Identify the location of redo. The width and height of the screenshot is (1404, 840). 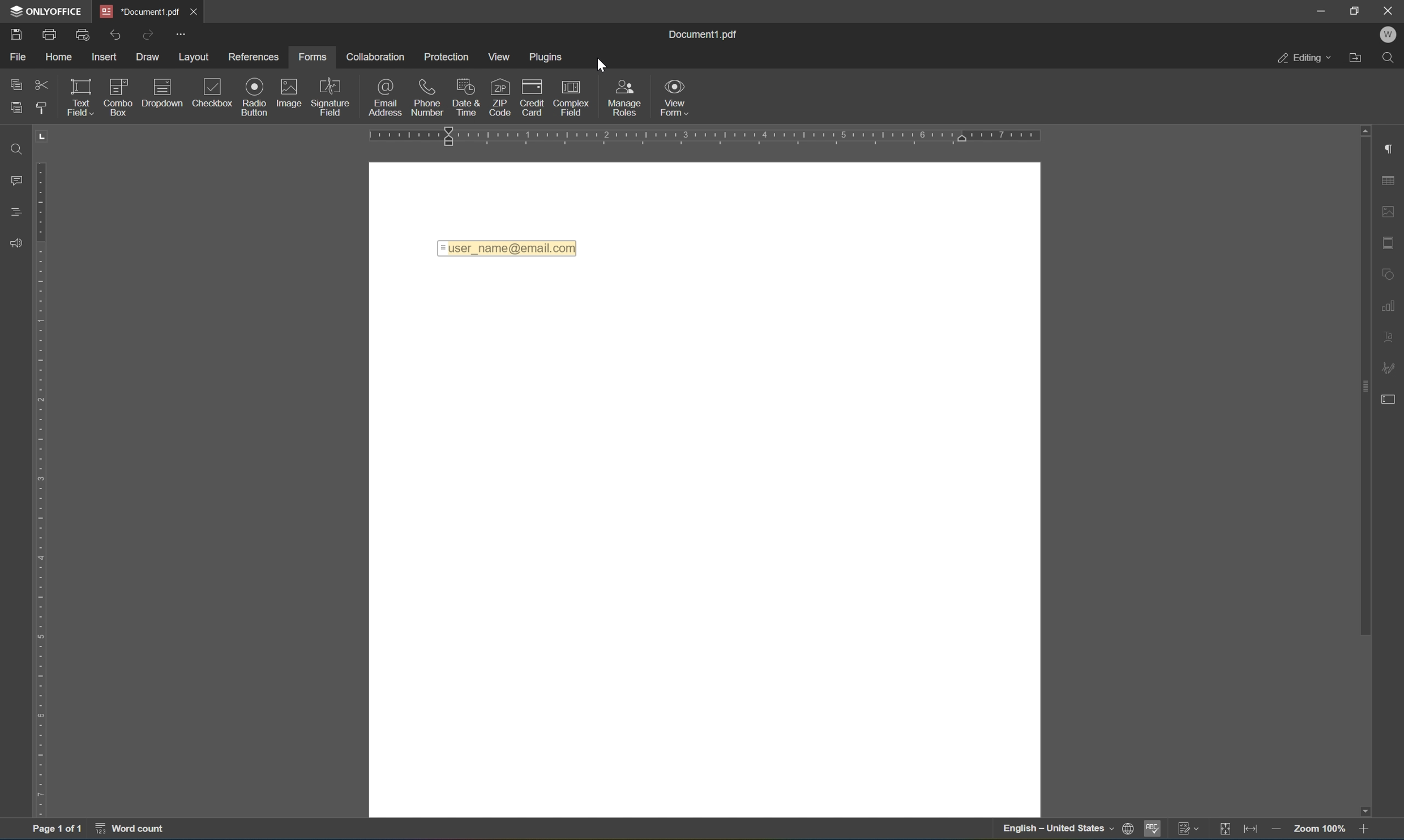
(151, 34).